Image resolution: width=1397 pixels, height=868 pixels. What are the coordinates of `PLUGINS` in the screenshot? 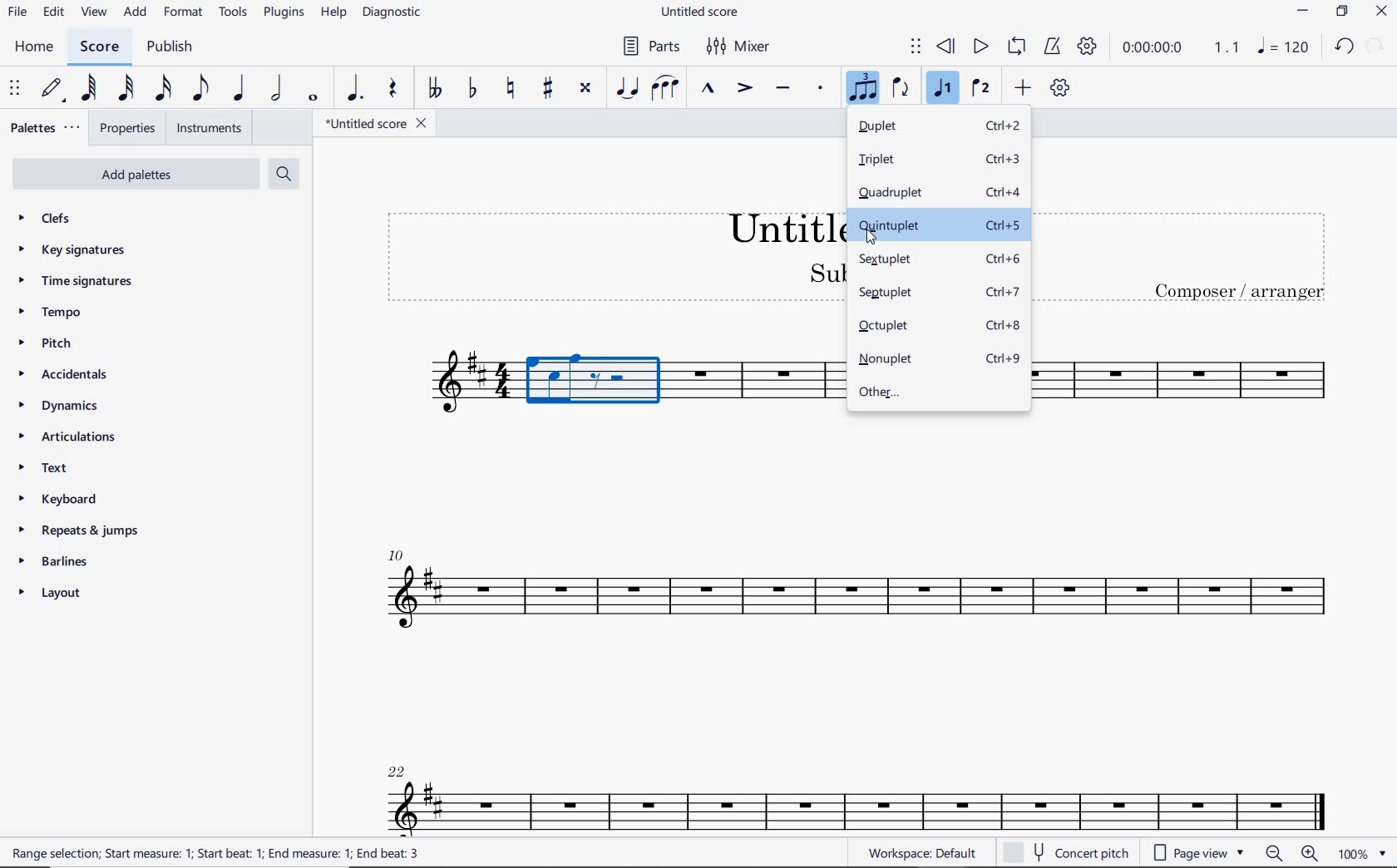 It's located at (284, 13).